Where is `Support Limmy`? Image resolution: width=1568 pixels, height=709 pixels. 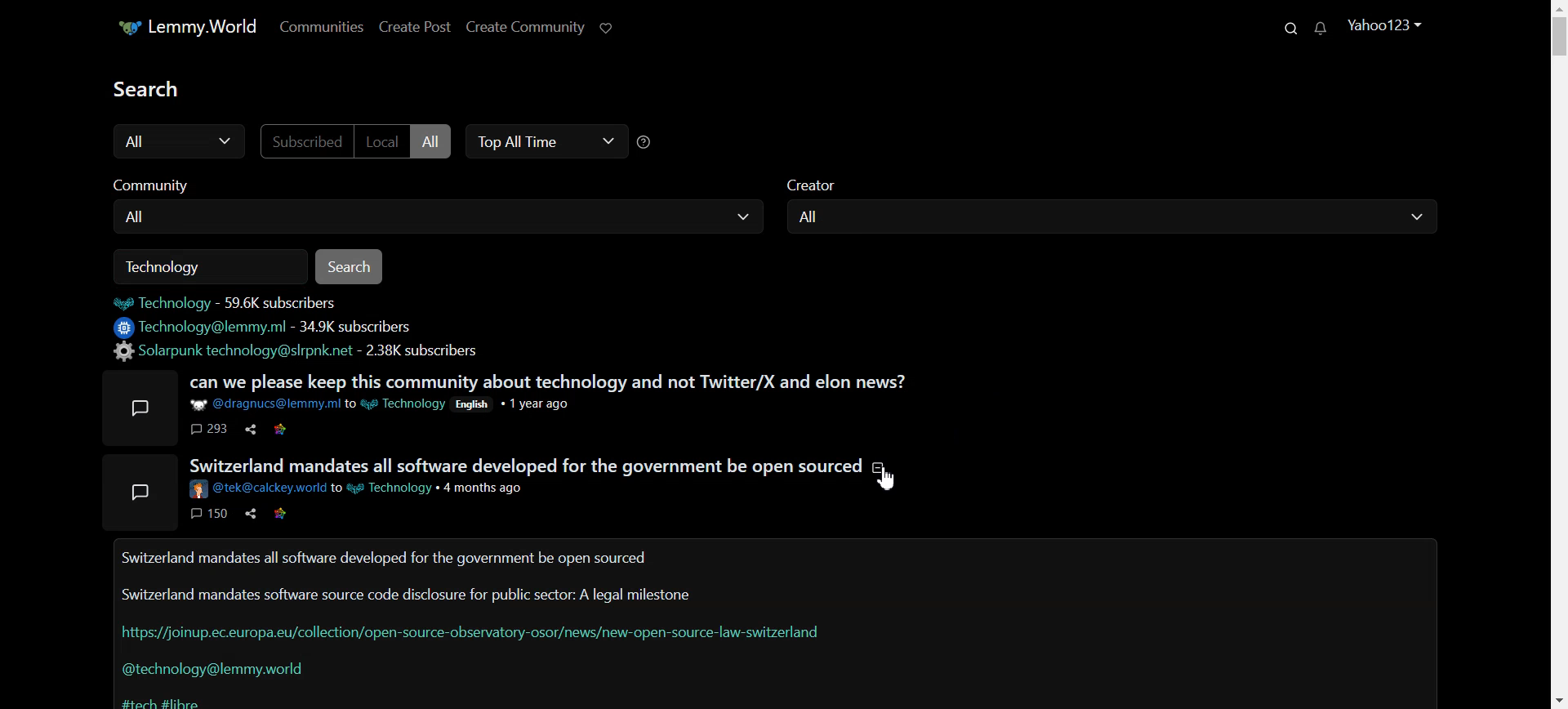
Support Limmy is located at coordinates (615, 29).